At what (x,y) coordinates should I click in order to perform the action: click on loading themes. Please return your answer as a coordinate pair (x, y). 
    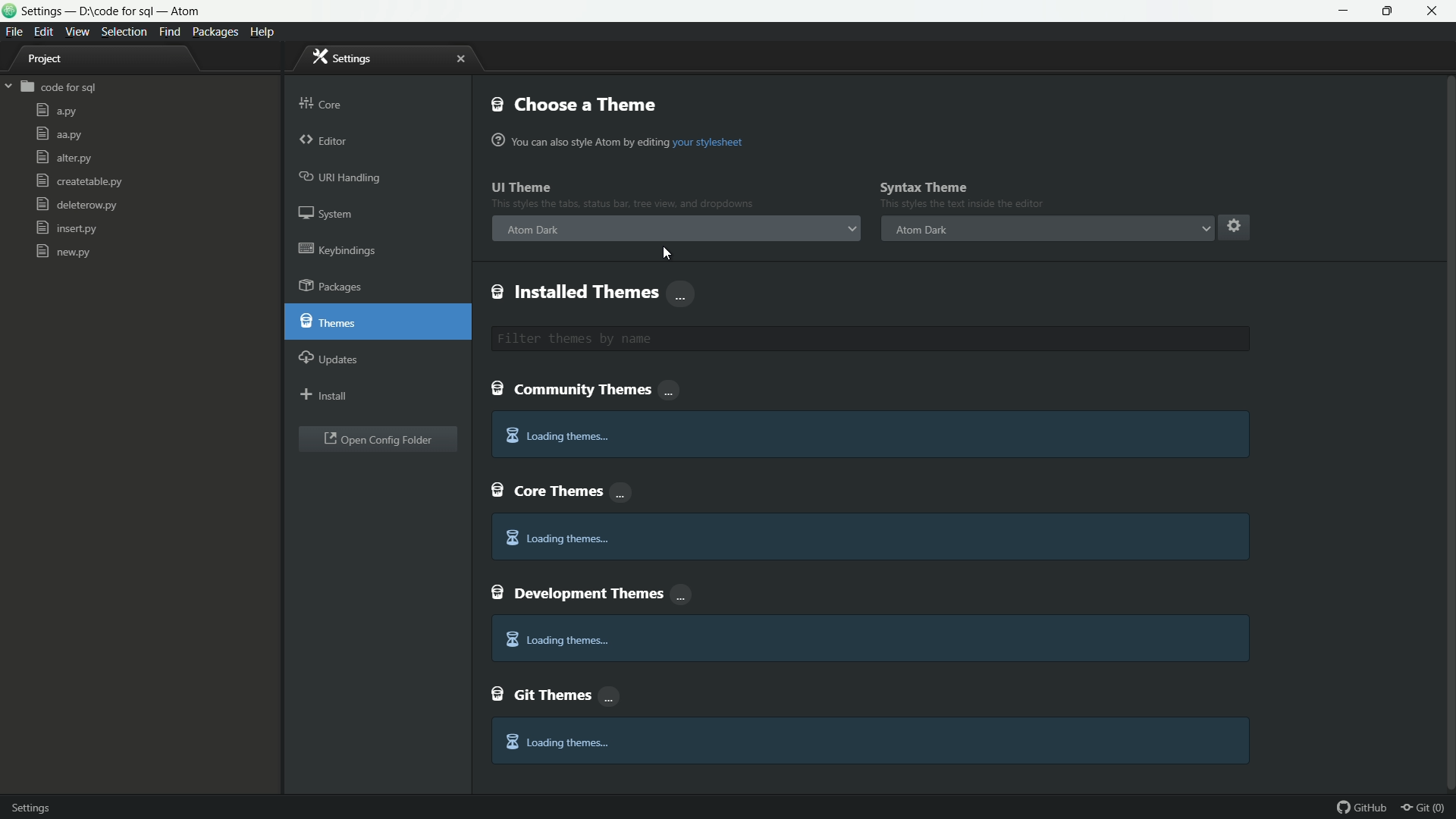
    Looking at the image, I should click on (557, 742).